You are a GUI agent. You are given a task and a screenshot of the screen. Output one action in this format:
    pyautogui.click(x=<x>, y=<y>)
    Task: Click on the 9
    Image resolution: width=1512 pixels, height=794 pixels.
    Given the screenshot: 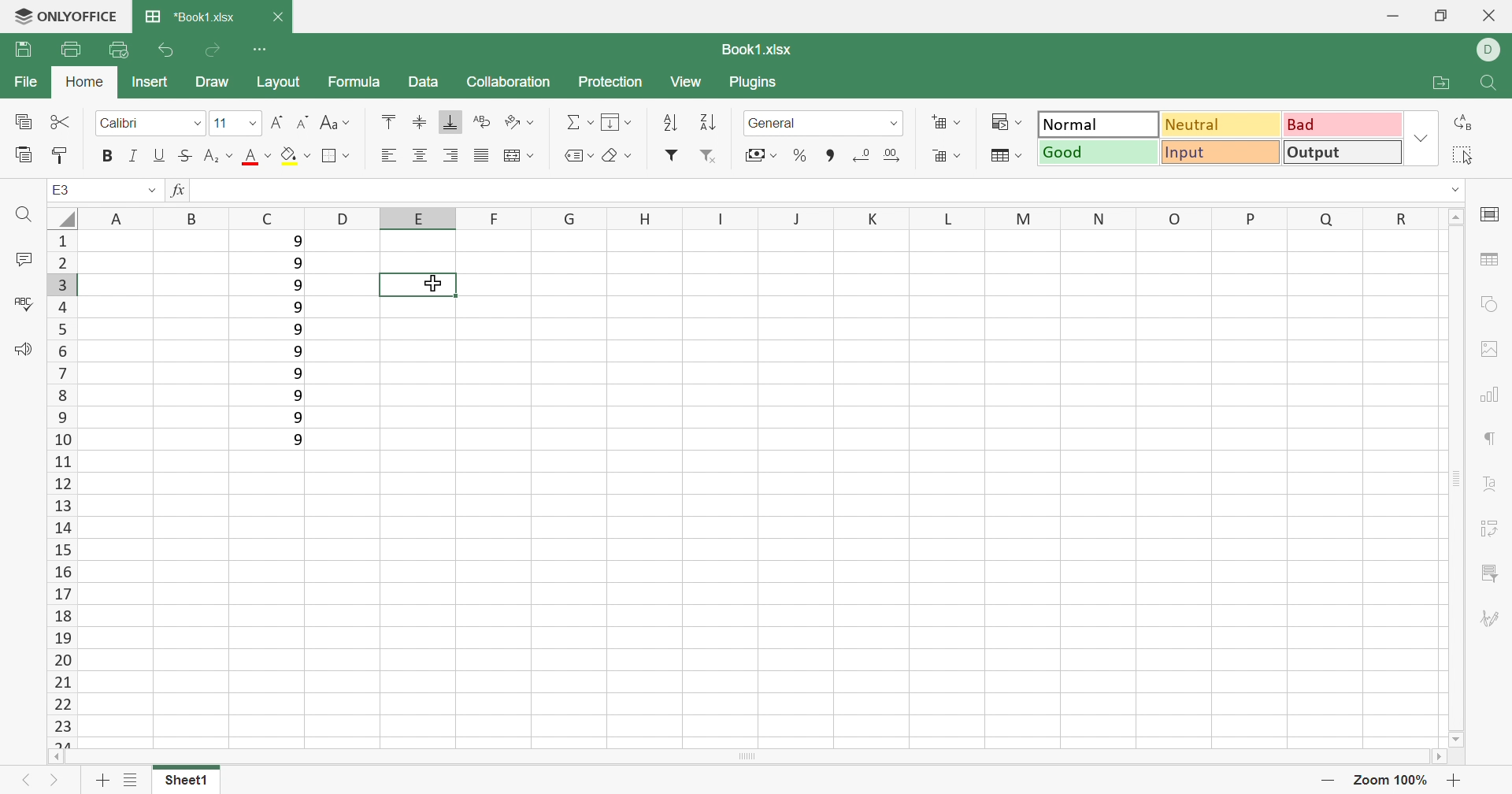 What is the action you would take?
    pyautogui.click(x=297, y=262)
    